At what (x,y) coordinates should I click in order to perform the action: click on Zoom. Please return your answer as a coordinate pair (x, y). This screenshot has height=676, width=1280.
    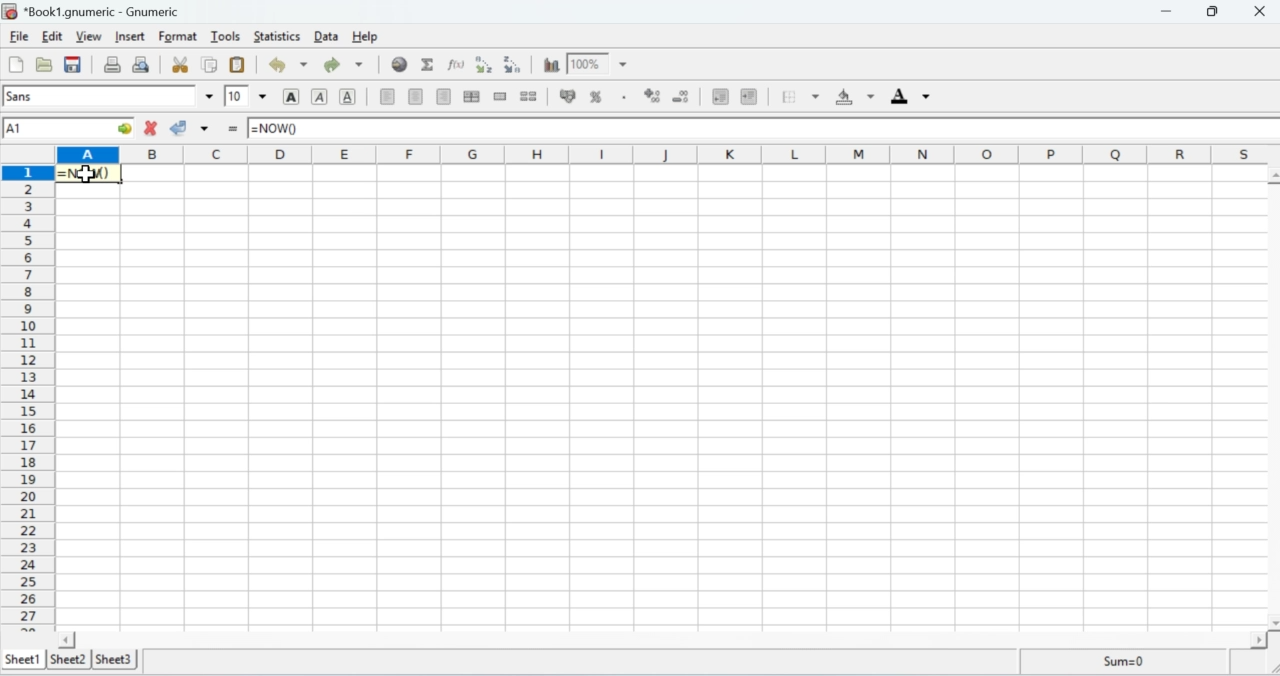
    Looking at the image, I should click on (600, 63).